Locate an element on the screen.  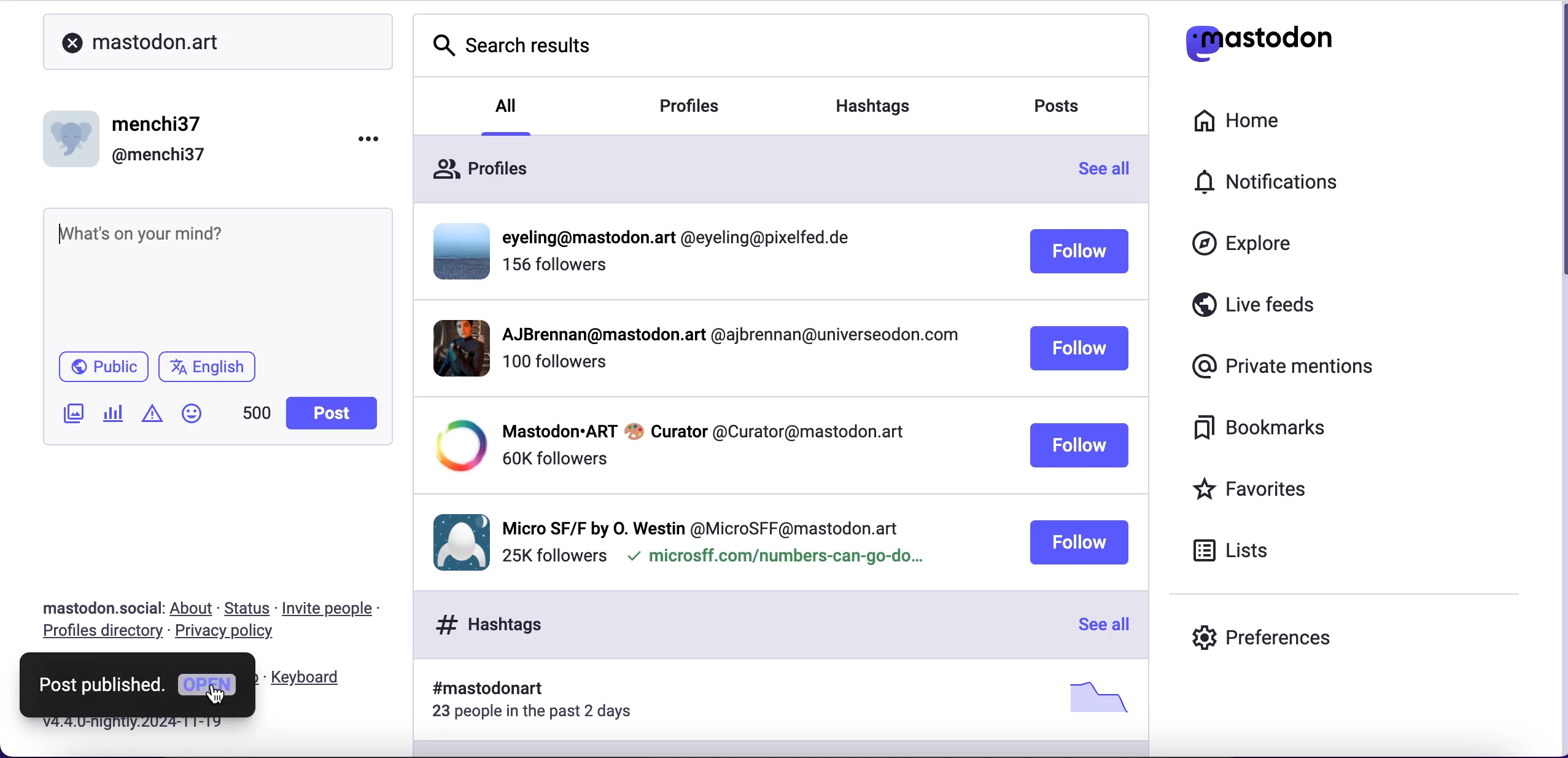
private mentions is located at coordinates (1283, 365).